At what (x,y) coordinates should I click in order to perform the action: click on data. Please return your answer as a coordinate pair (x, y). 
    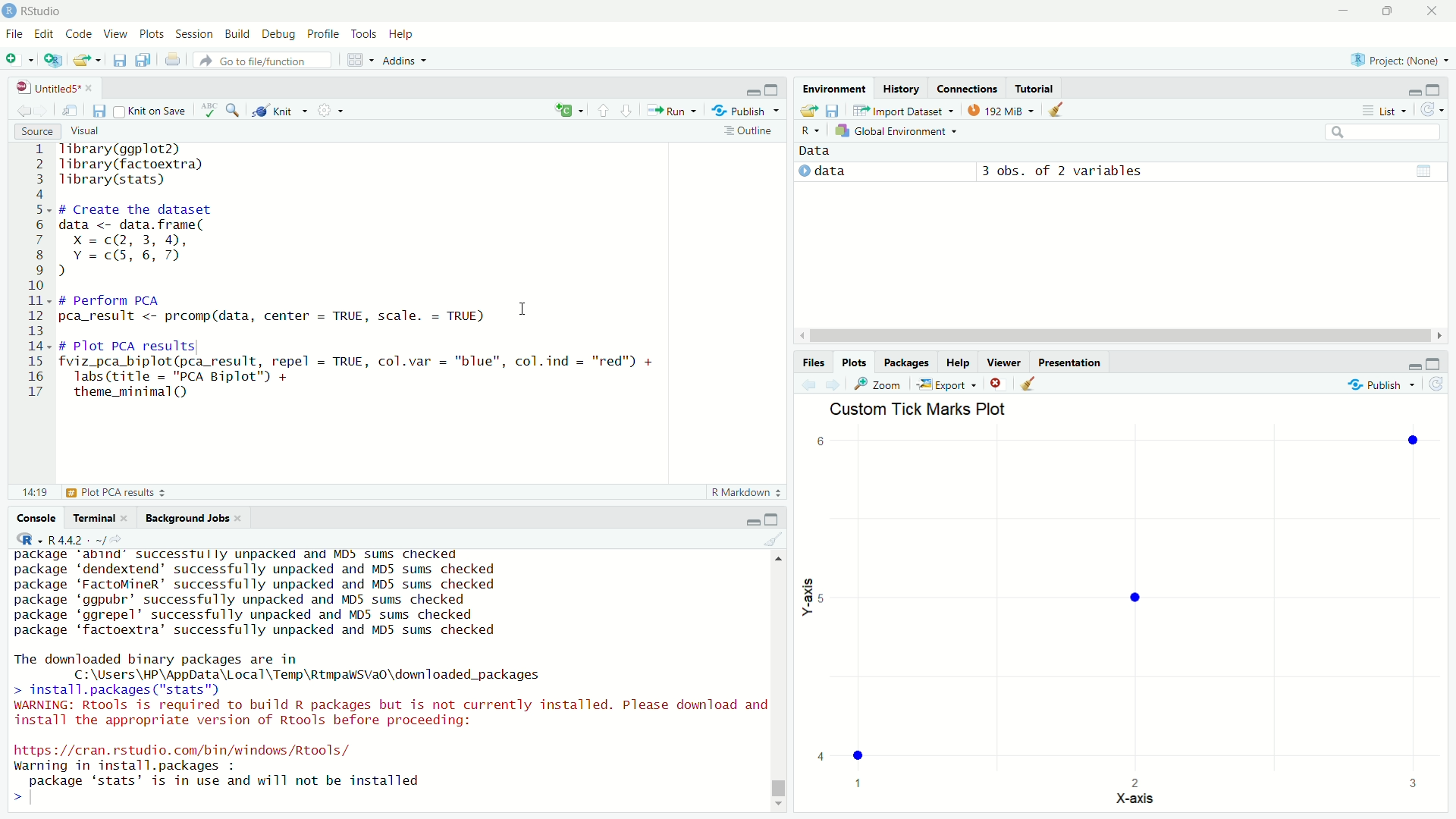
    Looking at the image, I should click on (817, 152).